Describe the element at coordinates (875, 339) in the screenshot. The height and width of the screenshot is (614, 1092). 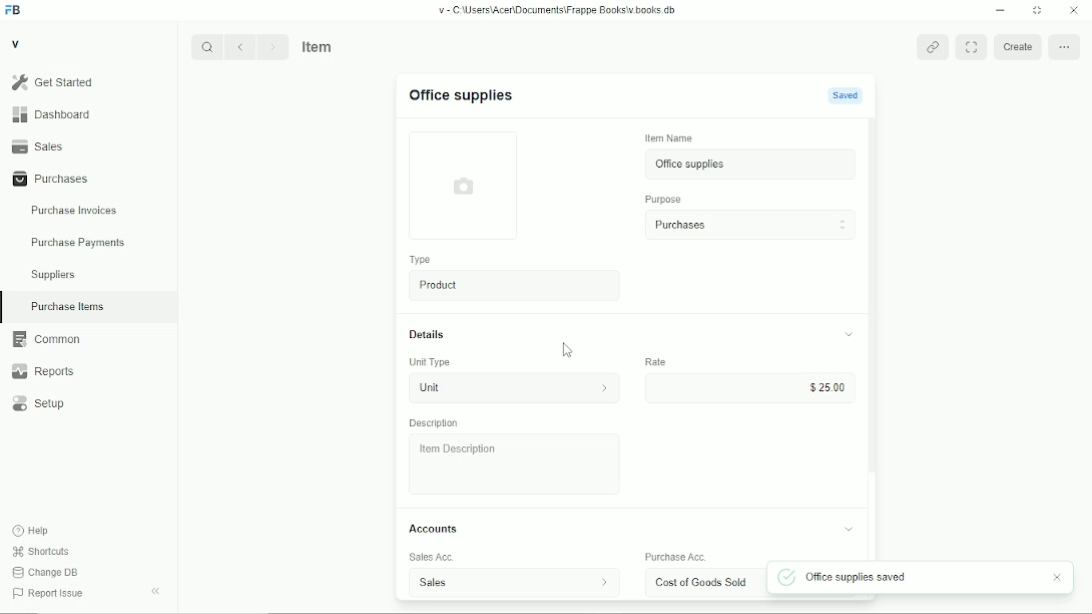
I see `scroll bar` at that location.